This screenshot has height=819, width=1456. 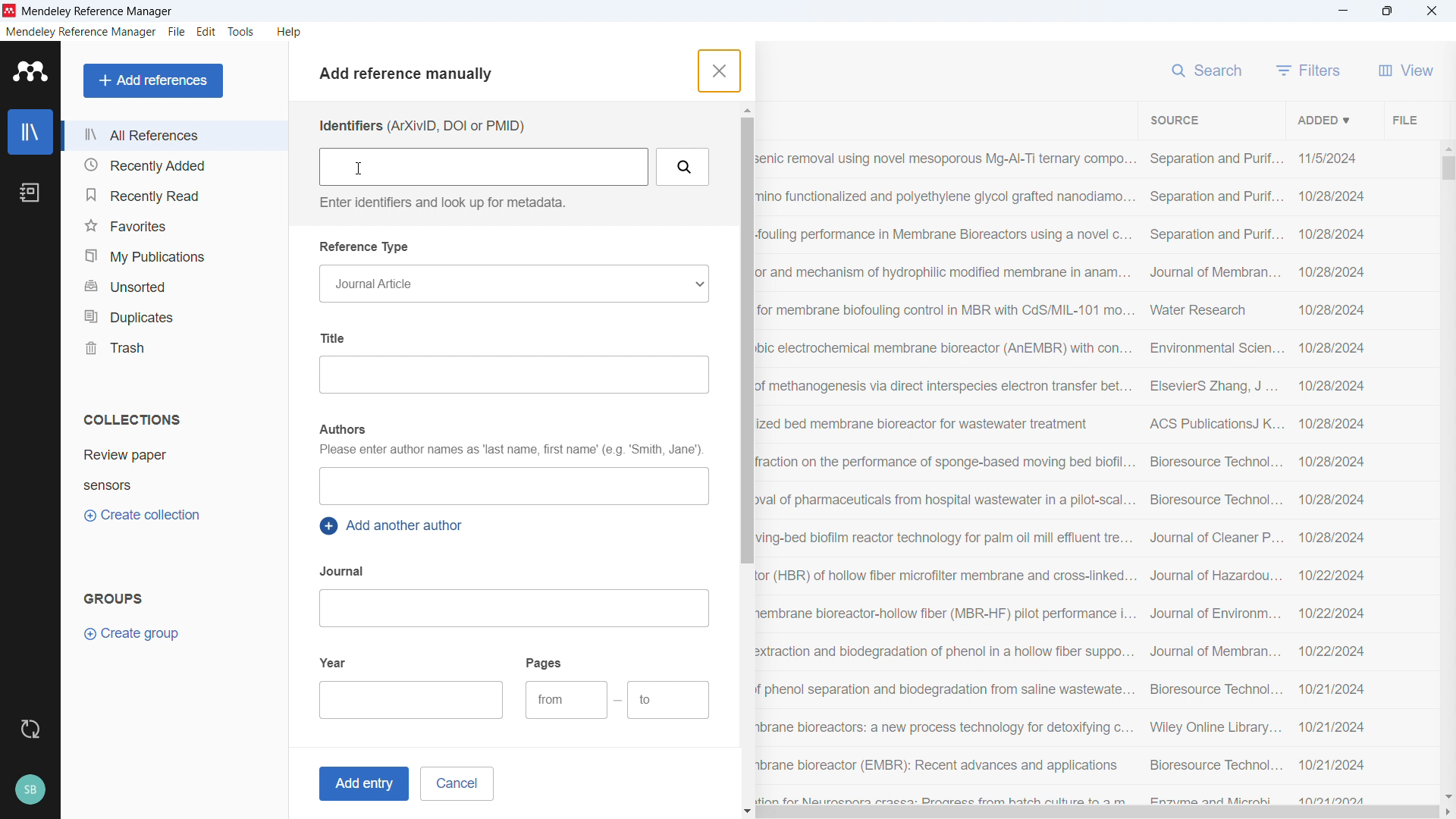 What do you see at coordinates (366, 247) in the screenshot?
I see `Reference type` at bounding box center [366, 247].